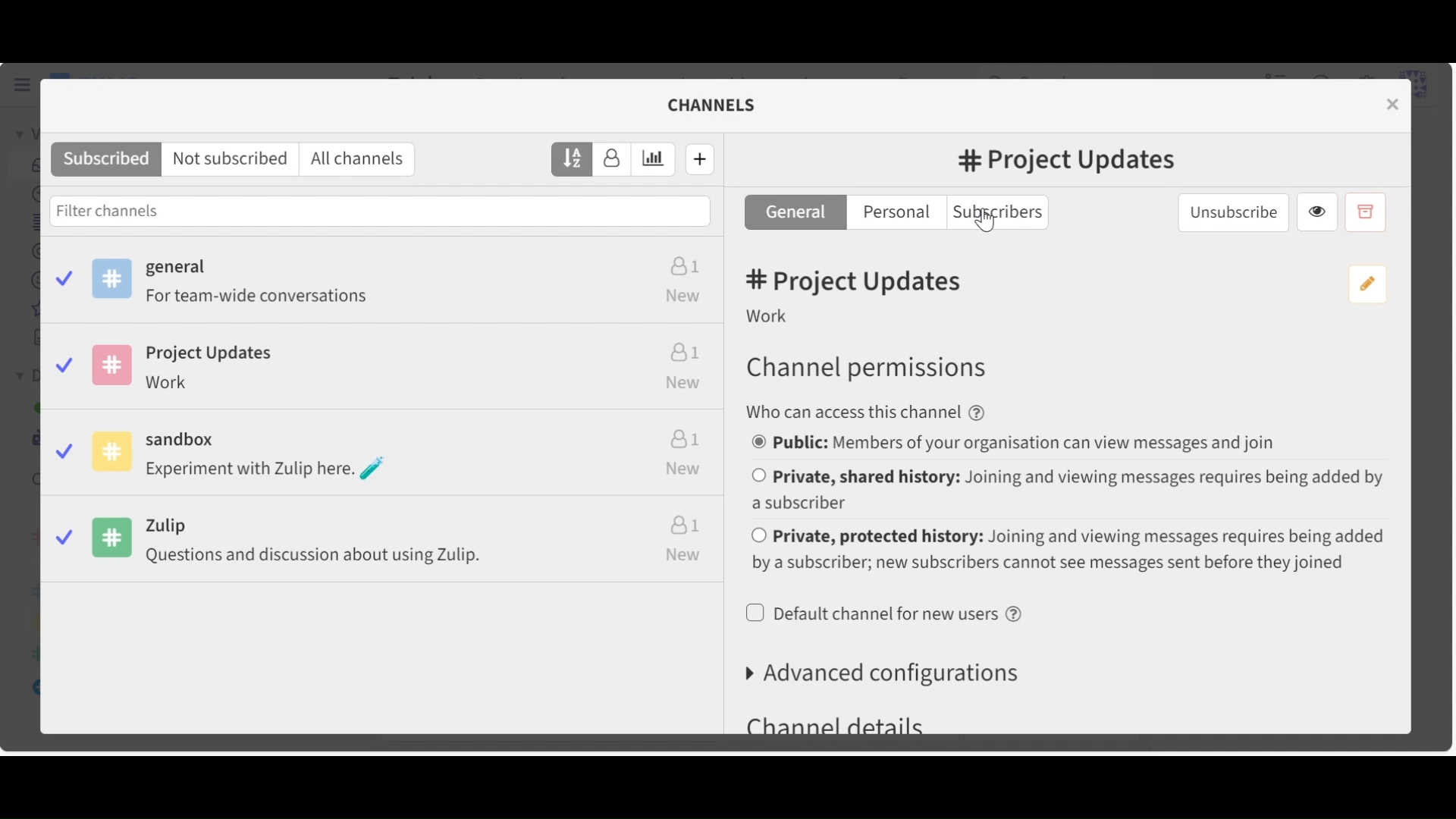 This screenshot has width=1456, height=819. What do you see at coordinates (1232, 214) in the screenshot?
I see `Unsubscribe` at bounding box center [1232, 214].